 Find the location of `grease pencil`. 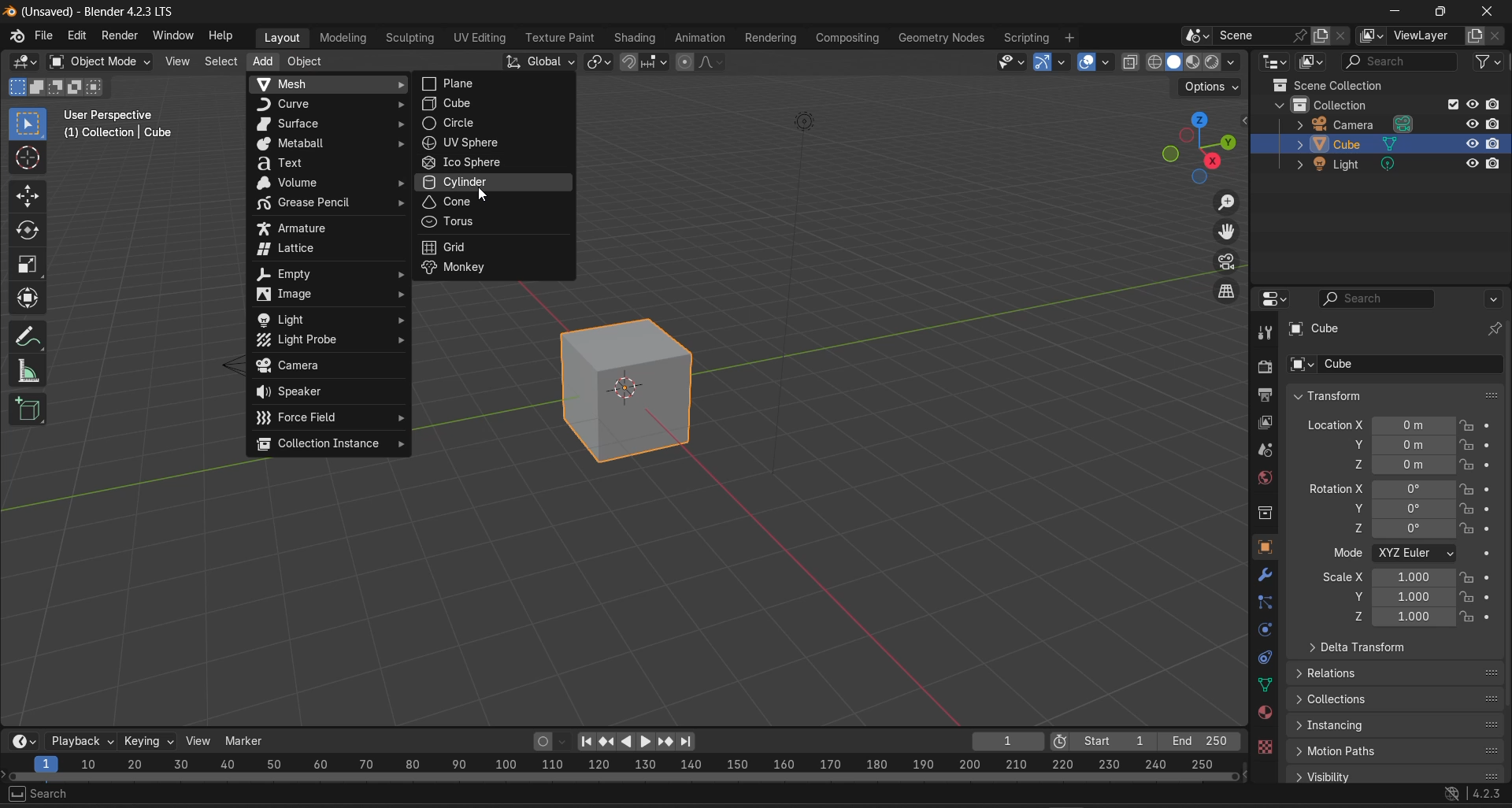

grease pencil is located at coordinates (329, 204).